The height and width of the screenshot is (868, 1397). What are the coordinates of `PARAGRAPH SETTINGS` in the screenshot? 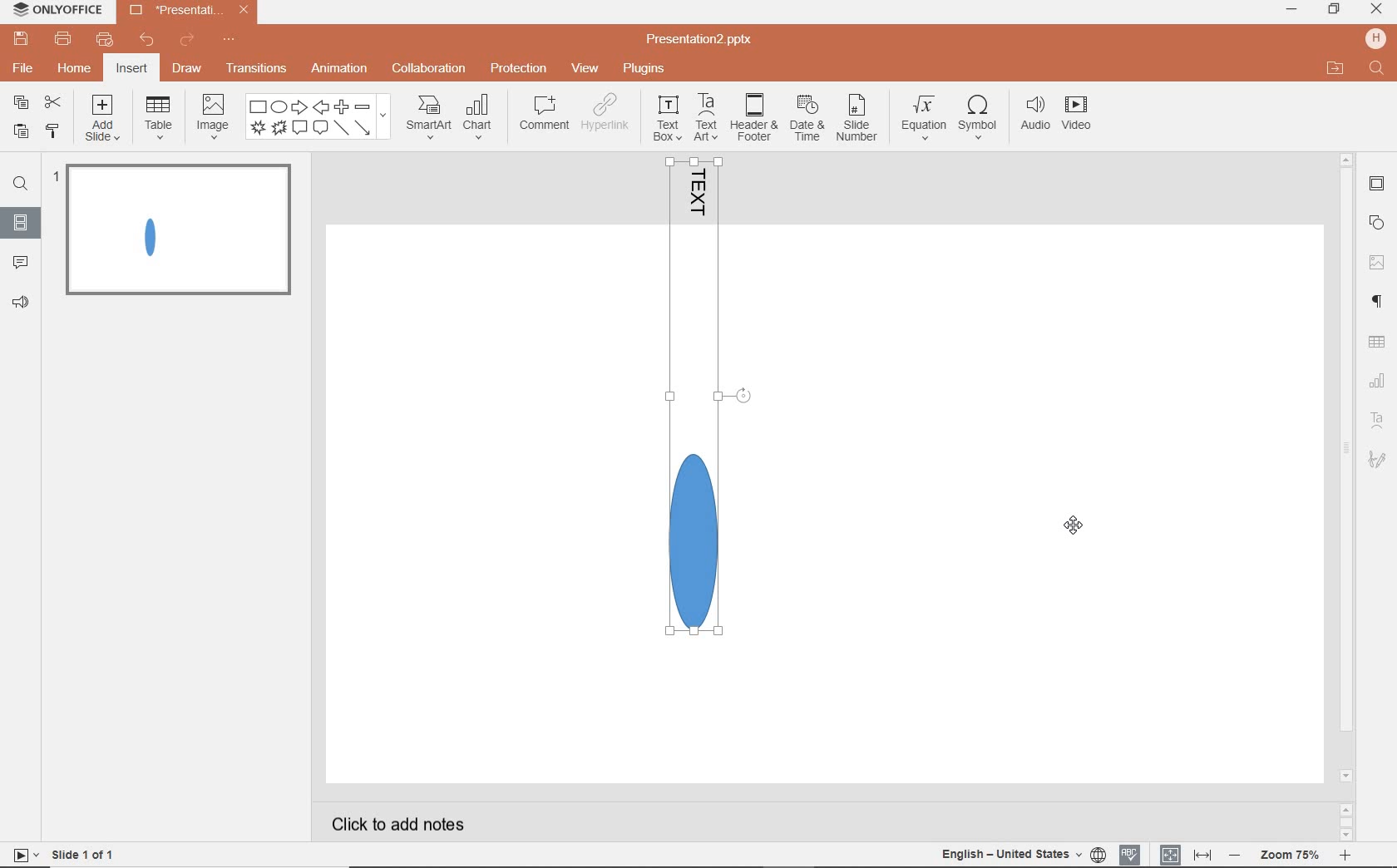 It's located at (1378, 303).